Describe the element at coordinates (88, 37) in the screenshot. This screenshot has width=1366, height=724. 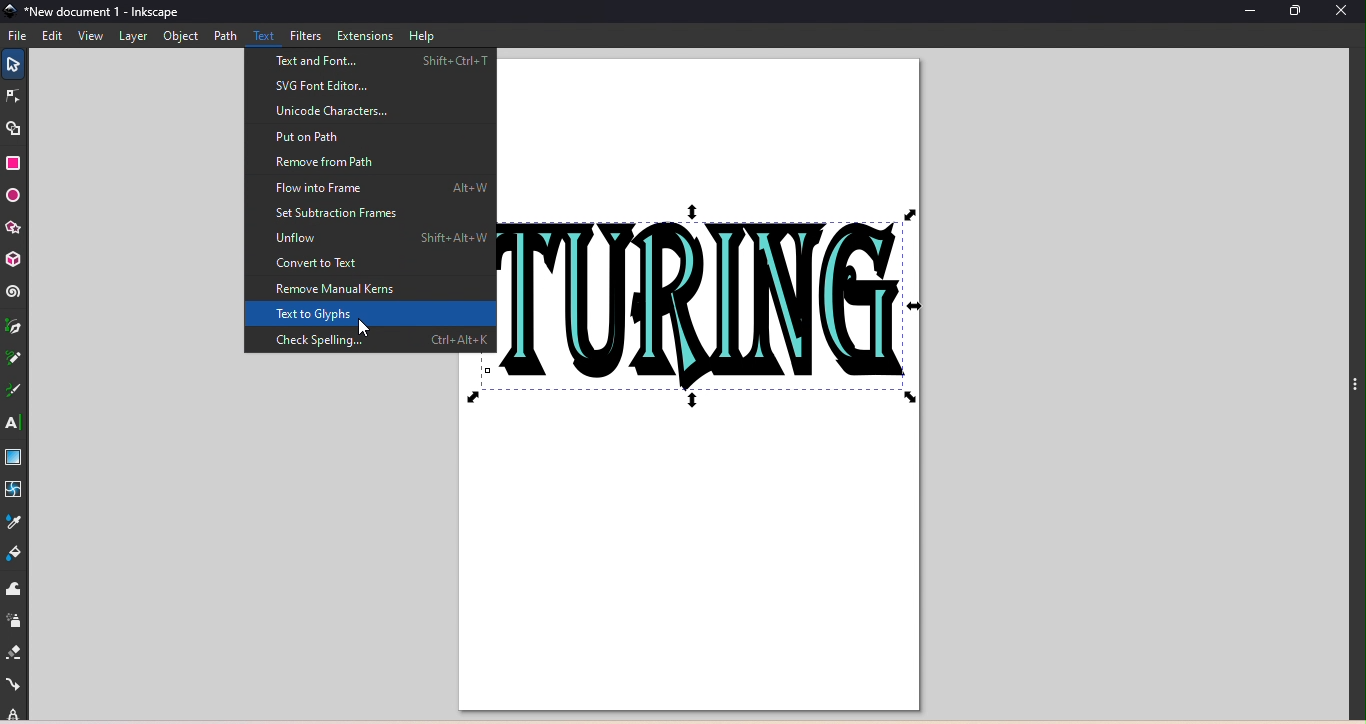
I see `View` at that location.